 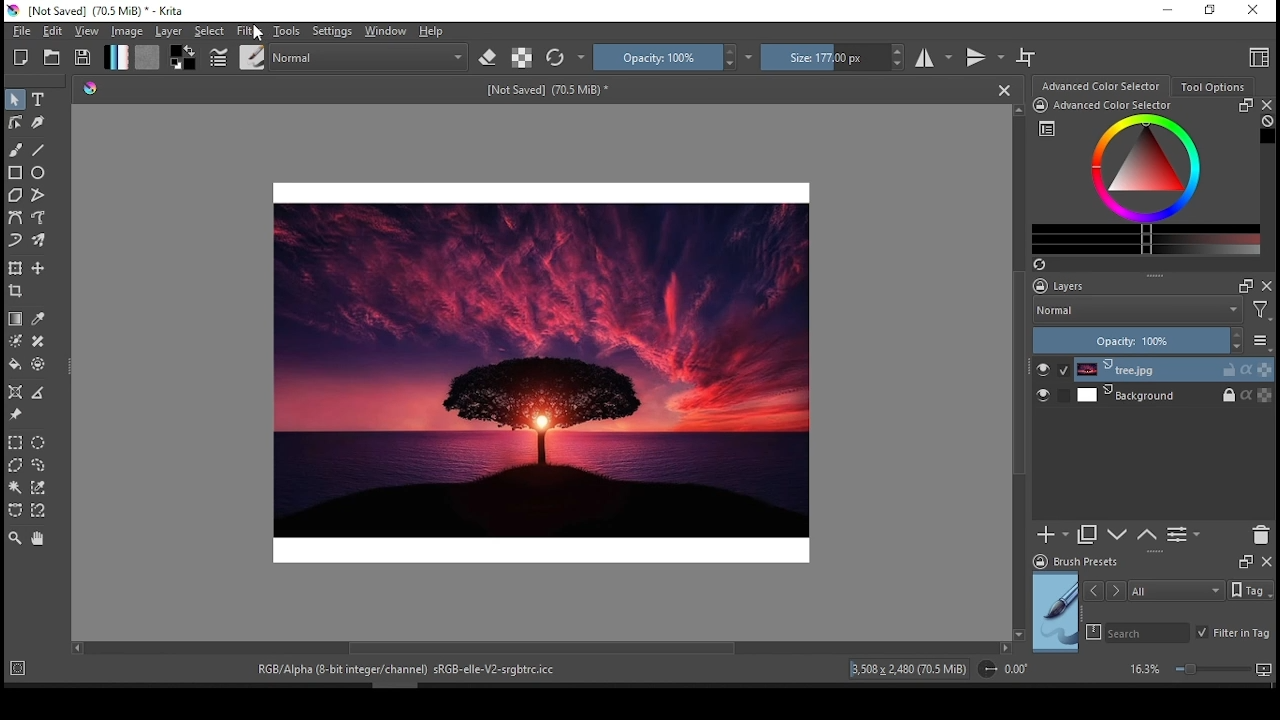 What do you see at coordinates (16, 218) in the screenshot?
I see `bezier path tool` at bounding box center [16, 218].